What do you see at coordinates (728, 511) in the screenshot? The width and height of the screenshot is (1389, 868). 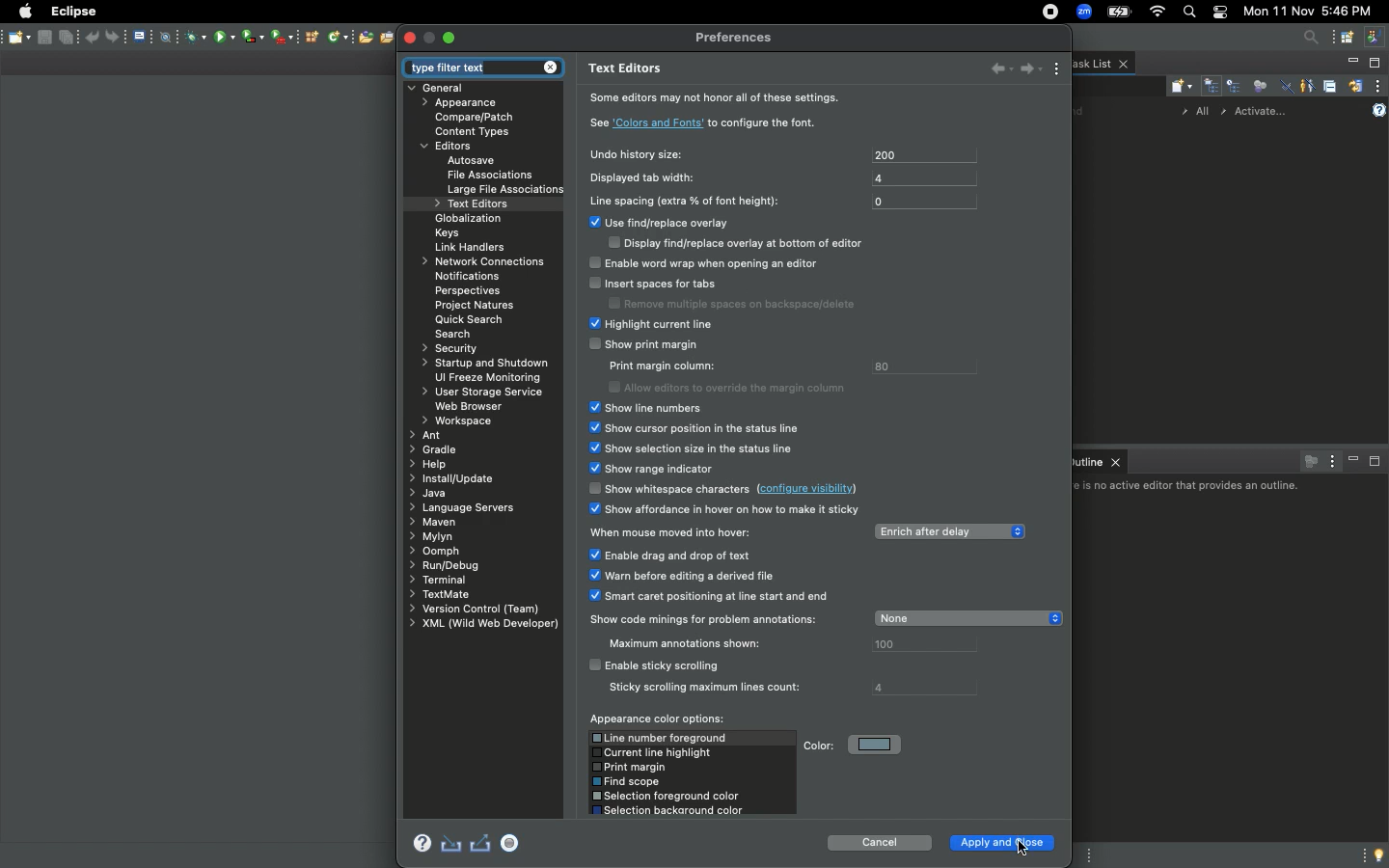 I see `Show affordance in hover on how to make it sticky` at bounding box center [728, 511].